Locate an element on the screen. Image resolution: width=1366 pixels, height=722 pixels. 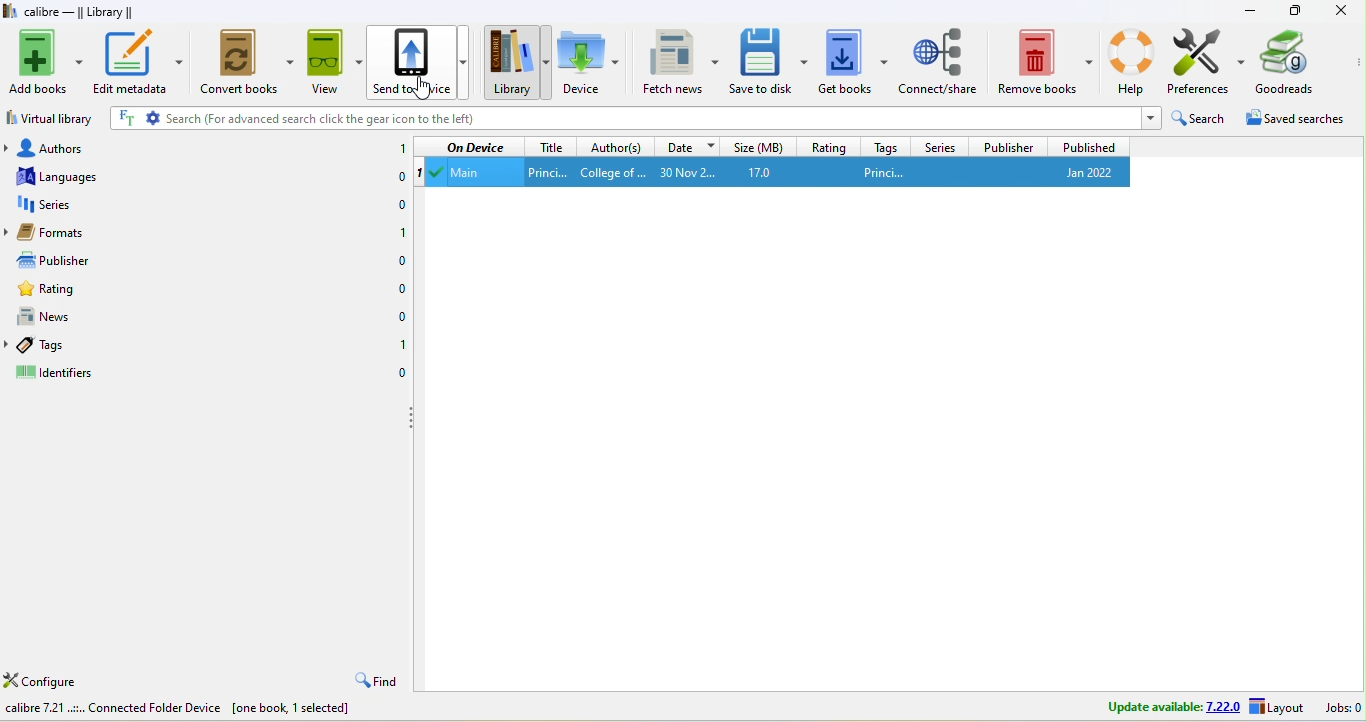
tags is located at coordinates (38, 347).